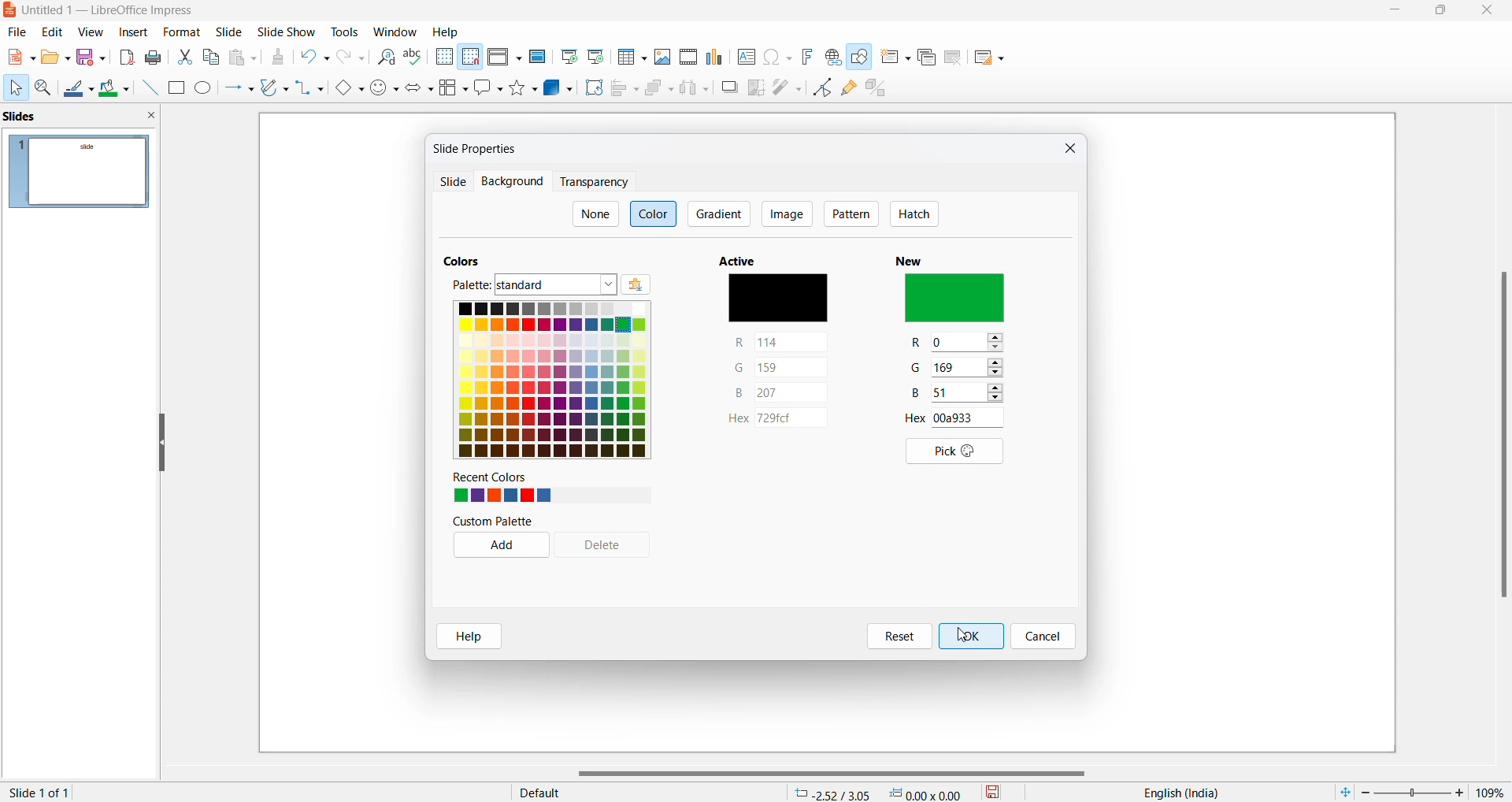 This screenshot has height=802, width=1512. I want to click on view navigation, so click(91, 31).